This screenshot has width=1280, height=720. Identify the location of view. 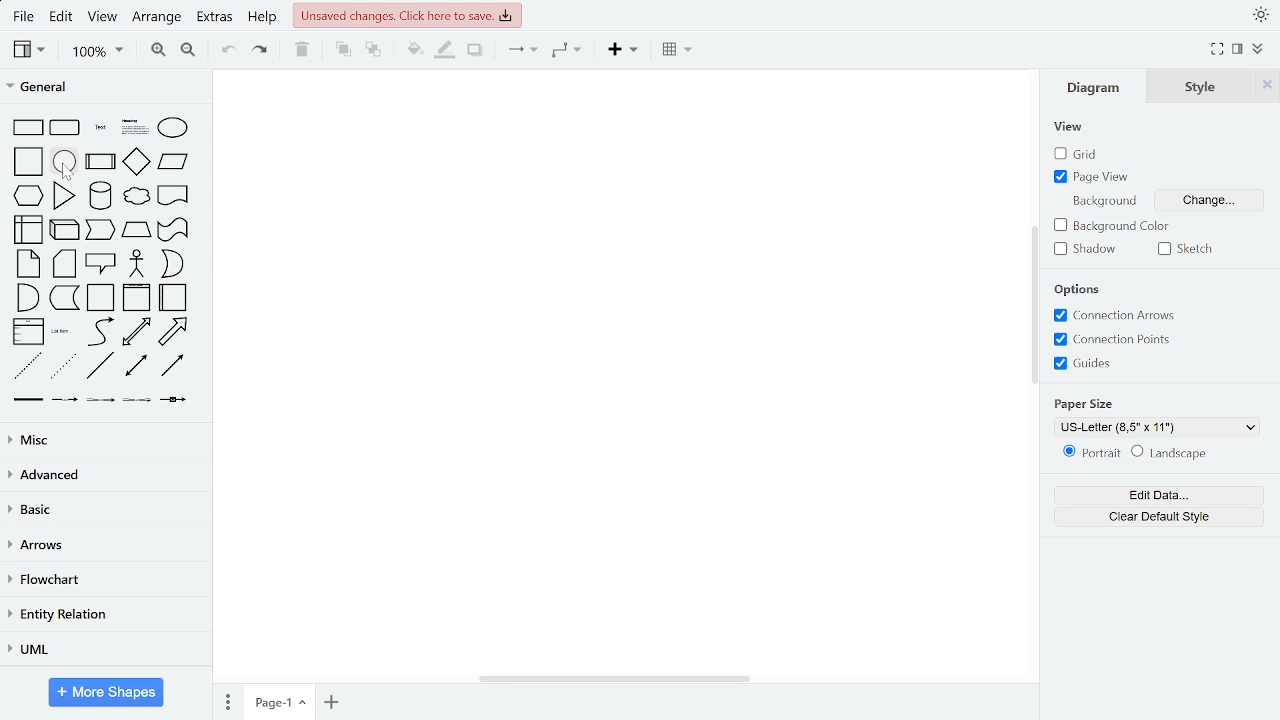
(1072, 128).